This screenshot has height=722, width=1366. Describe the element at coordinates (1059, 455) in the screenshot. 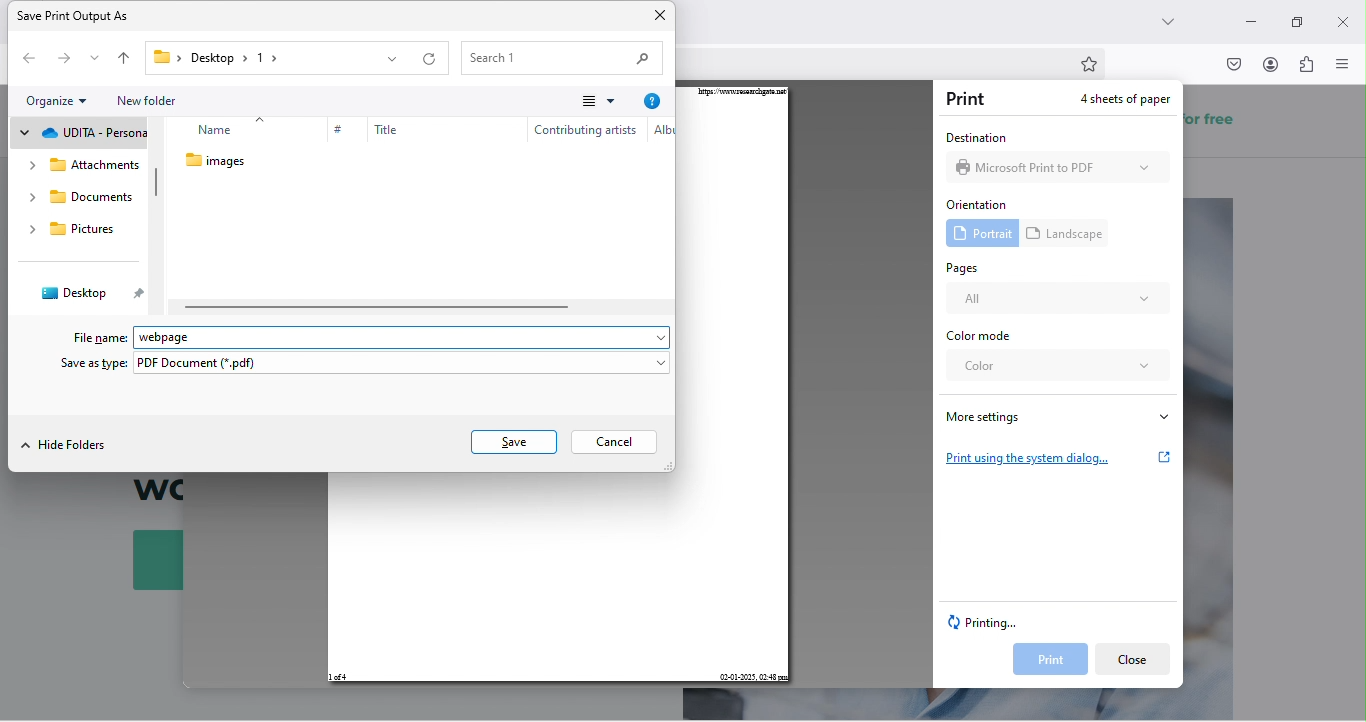

I see `print using the system dialog` at that location.